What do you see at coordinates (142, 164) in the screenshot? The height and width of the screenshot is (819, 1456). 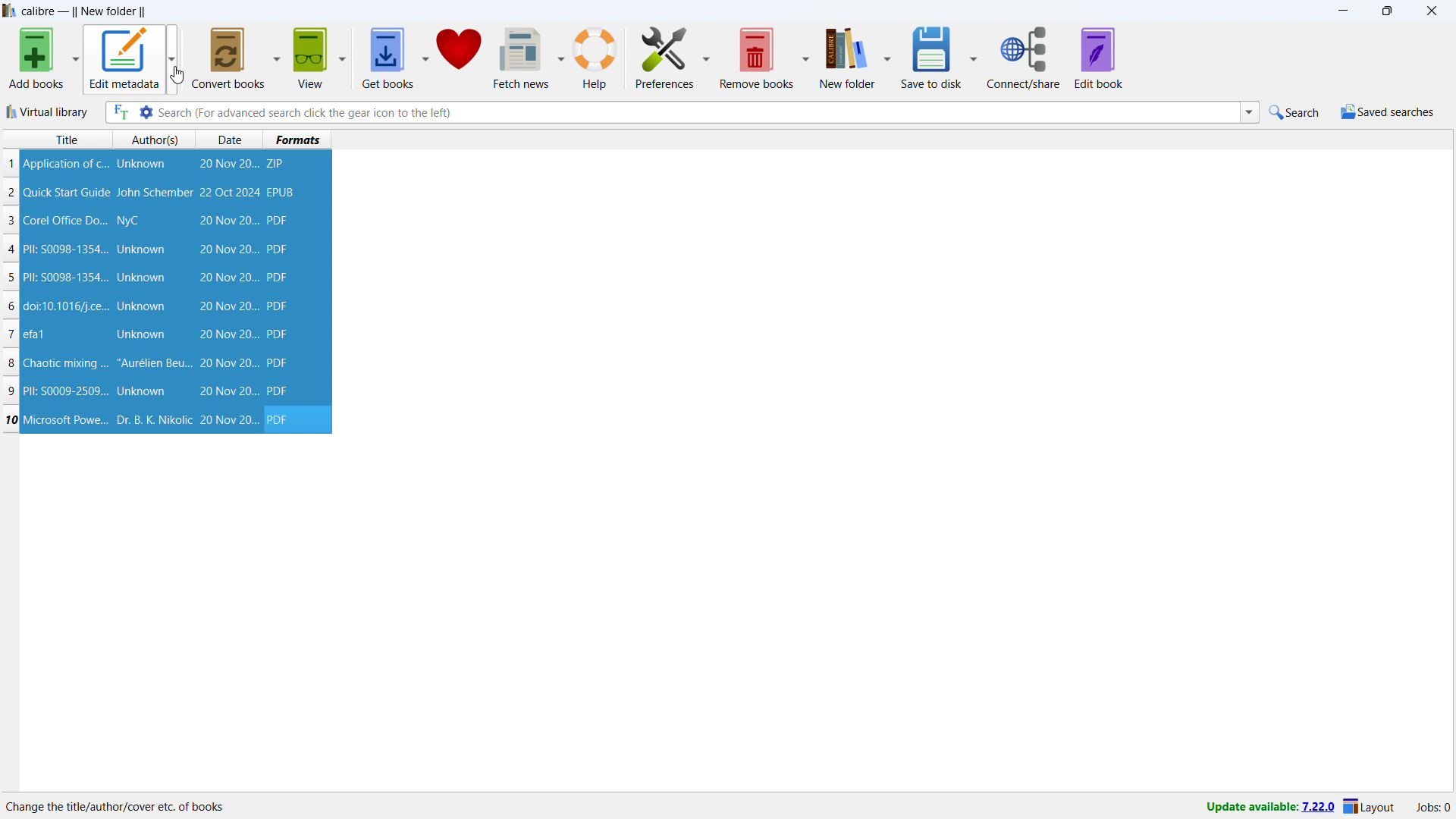 I see `unknown` at bounding box center [142, 164].